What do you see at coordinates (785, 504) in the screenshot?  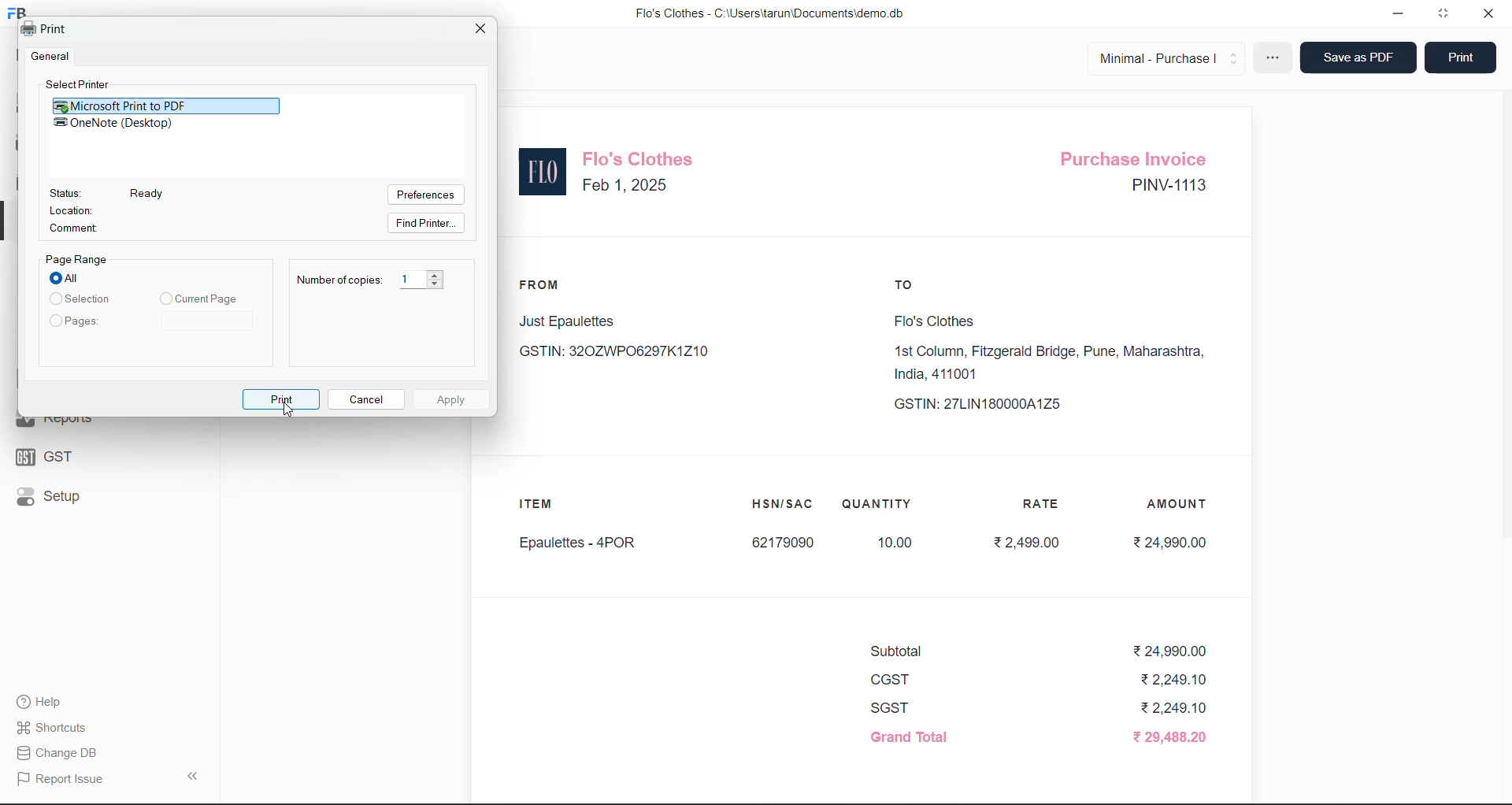 I see `HSN/SAC` at bounding box center [785, 504].